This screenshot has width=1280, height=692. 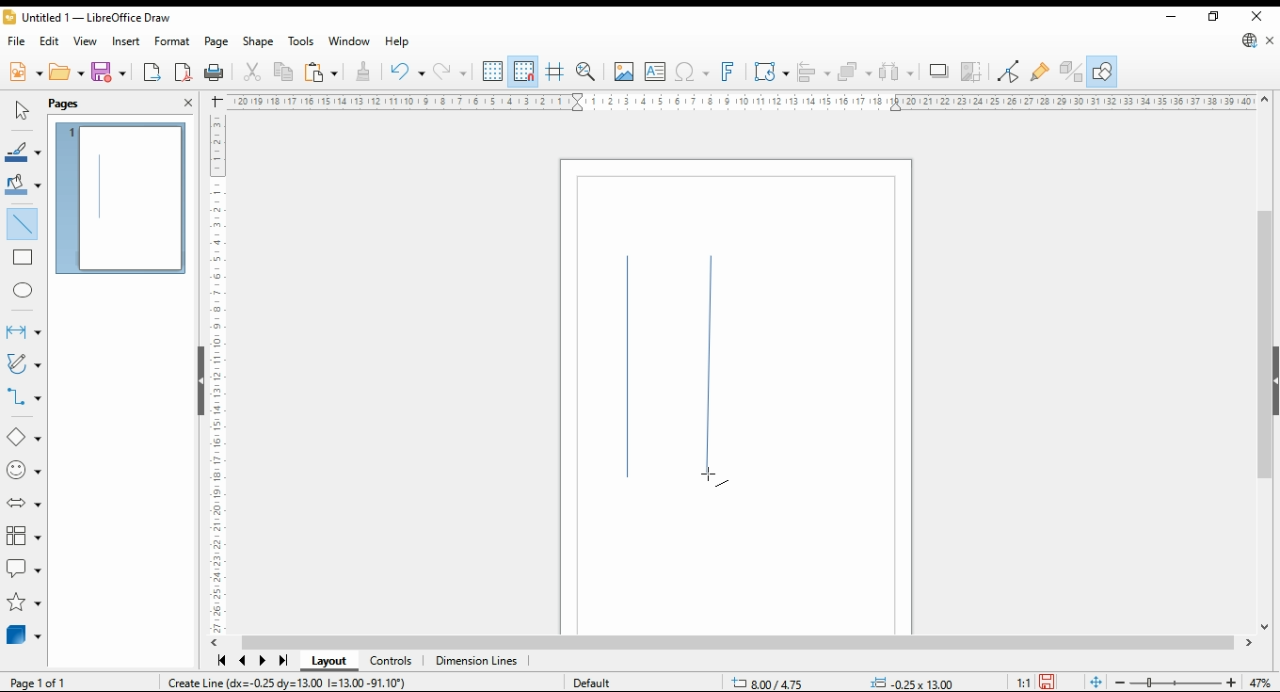 I want to click on cut, so click(x=254, y=72).